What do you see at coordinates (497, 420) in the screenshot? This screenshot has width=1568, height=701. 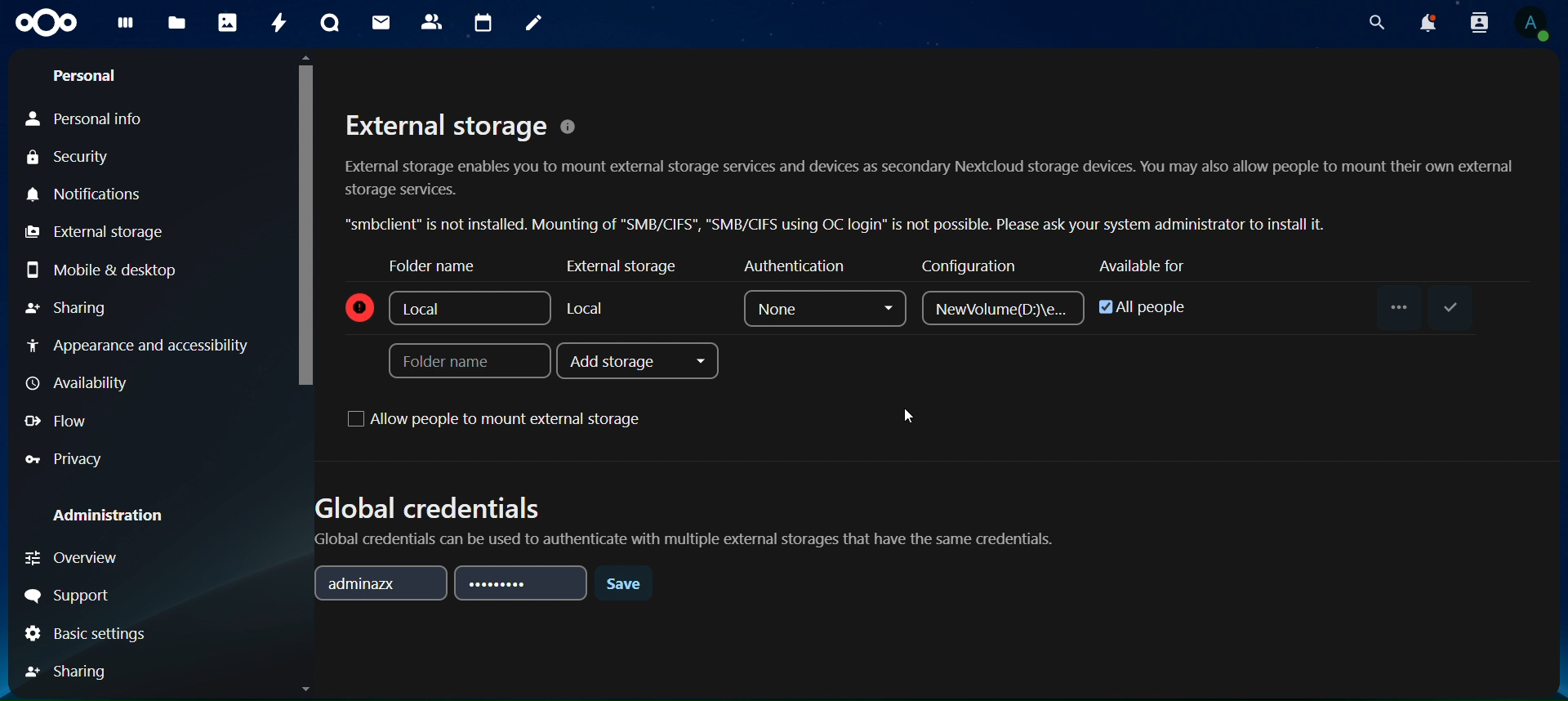 I see `allow people to mount external storage` at bounding box center [497, 420].